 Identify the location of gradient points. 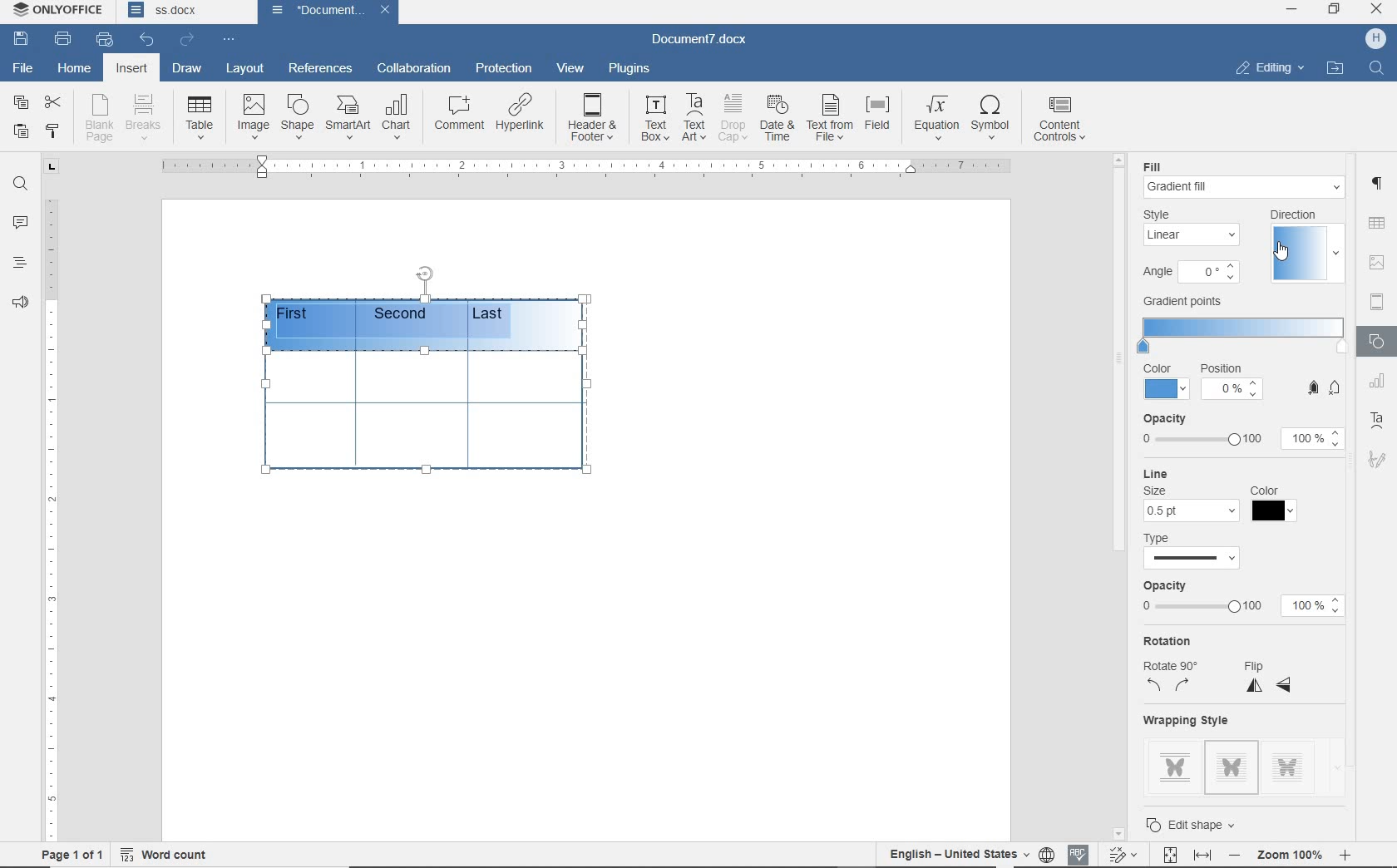
(1185, 303).